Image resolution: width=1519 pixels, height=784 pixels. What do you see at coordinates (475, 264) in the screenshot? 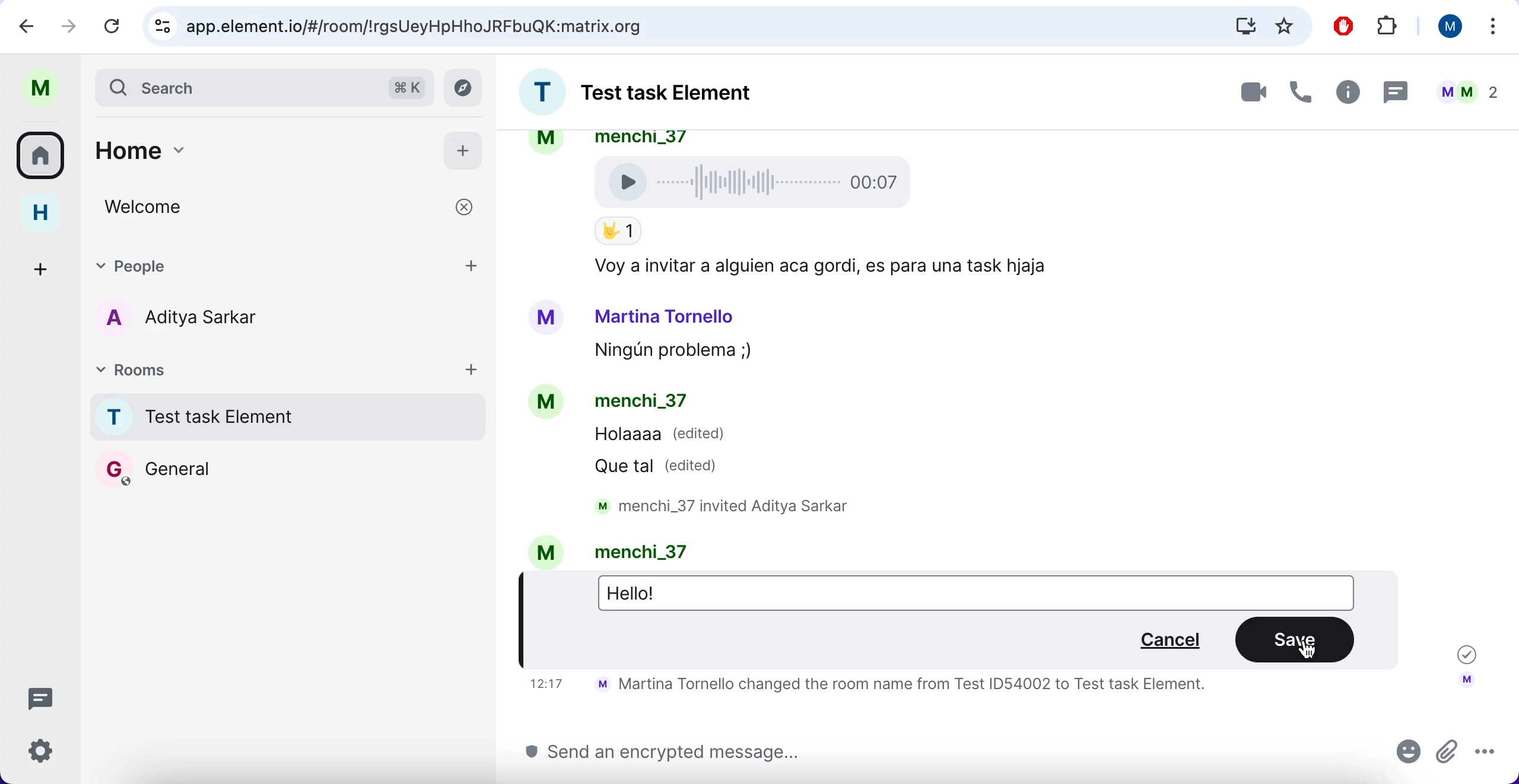
I see `add` at bounding box center [475, 264].